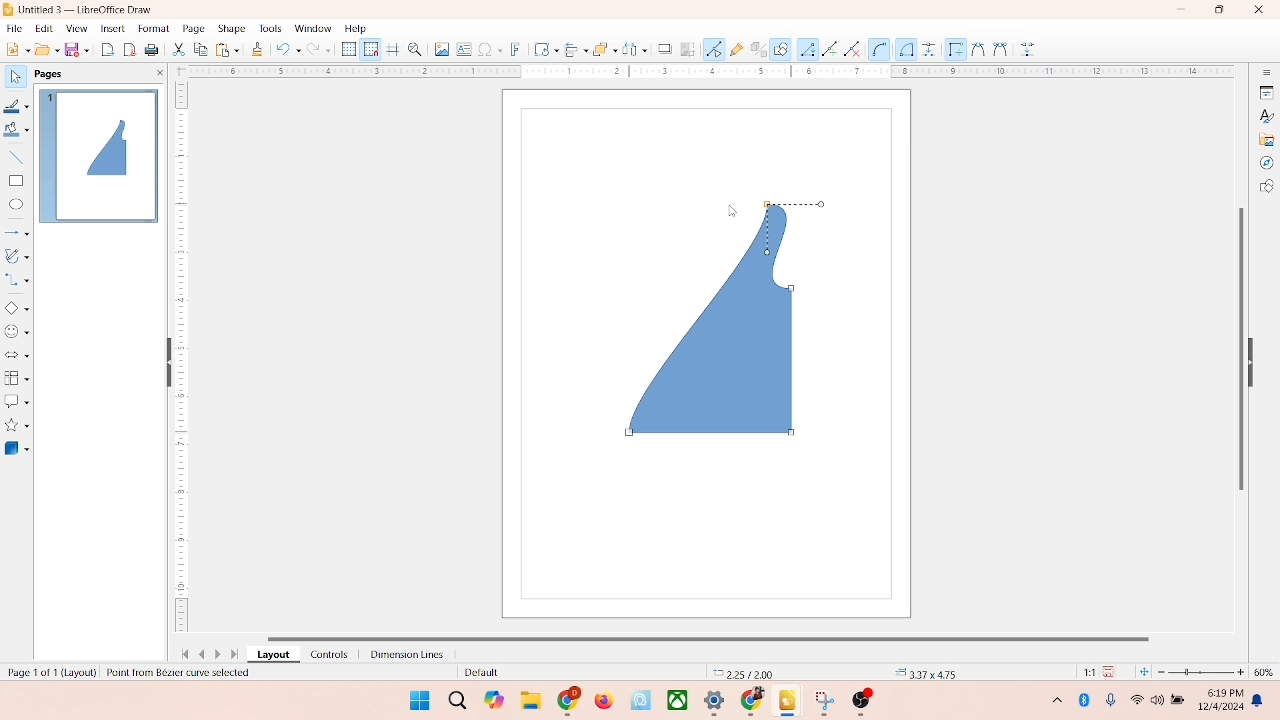  I want to click on windows, so click(417, 700).